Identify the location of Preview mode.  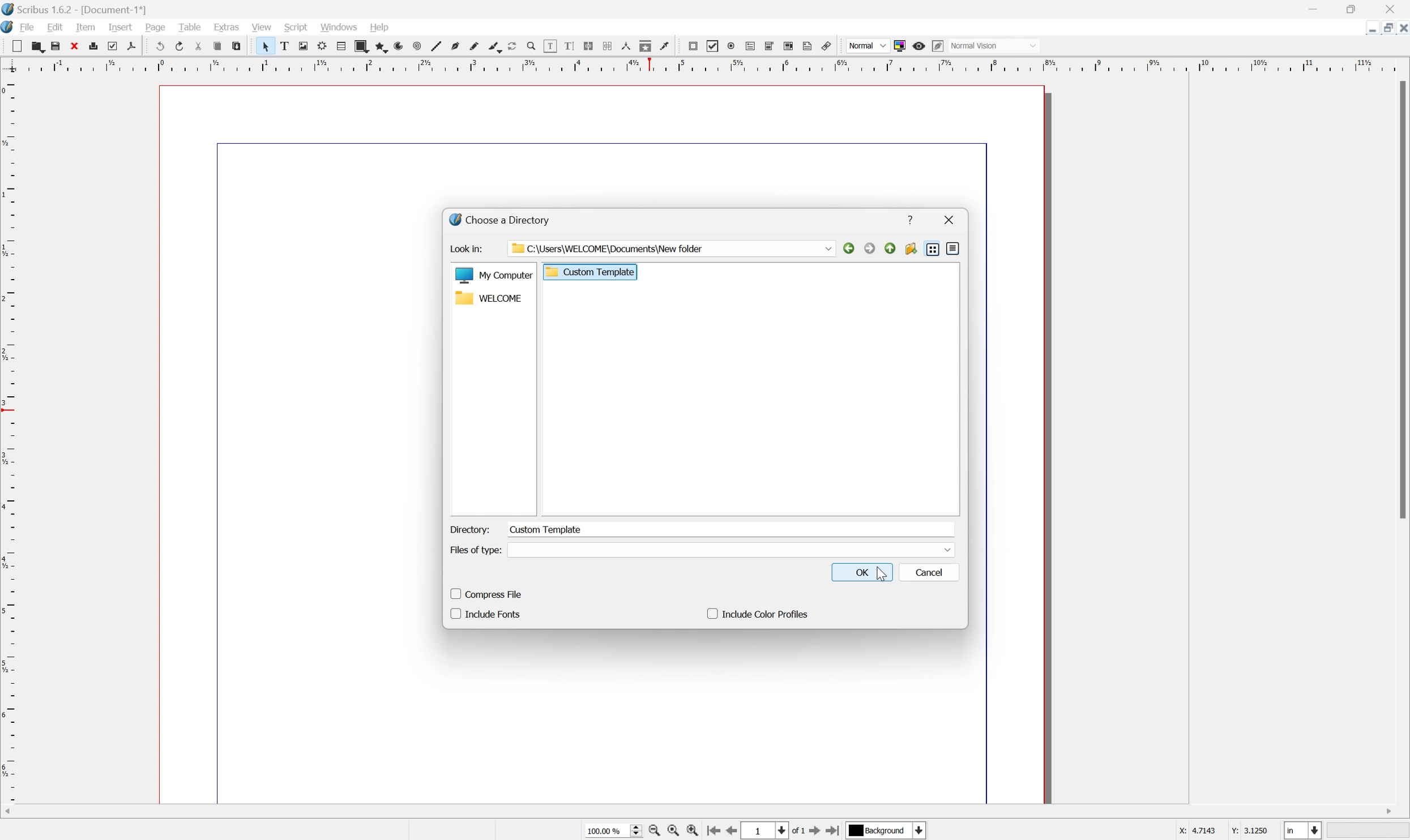
(918, 45).